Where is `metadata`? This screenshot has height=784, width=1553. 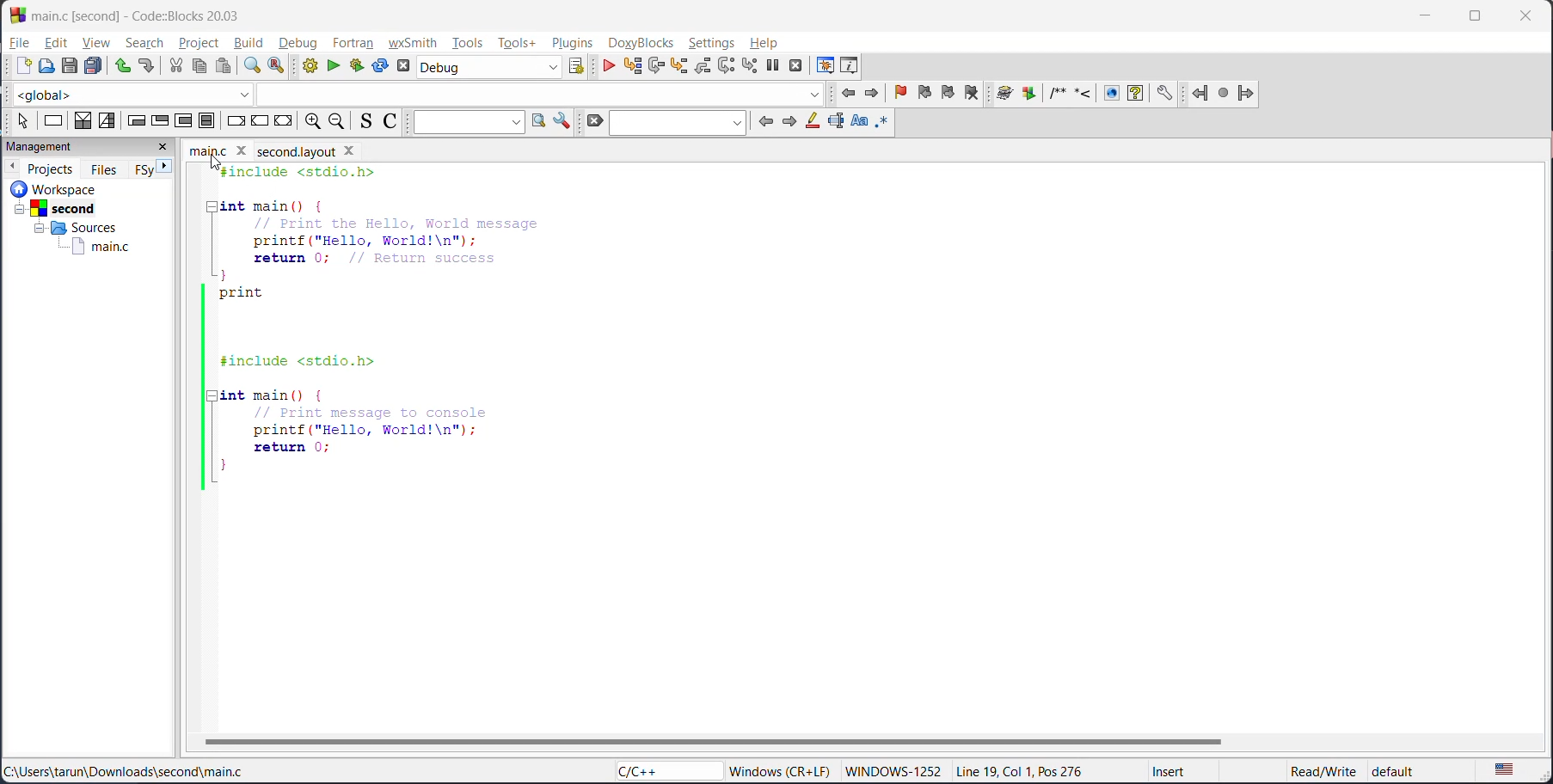 metadata is located at coordinates (780, 770).